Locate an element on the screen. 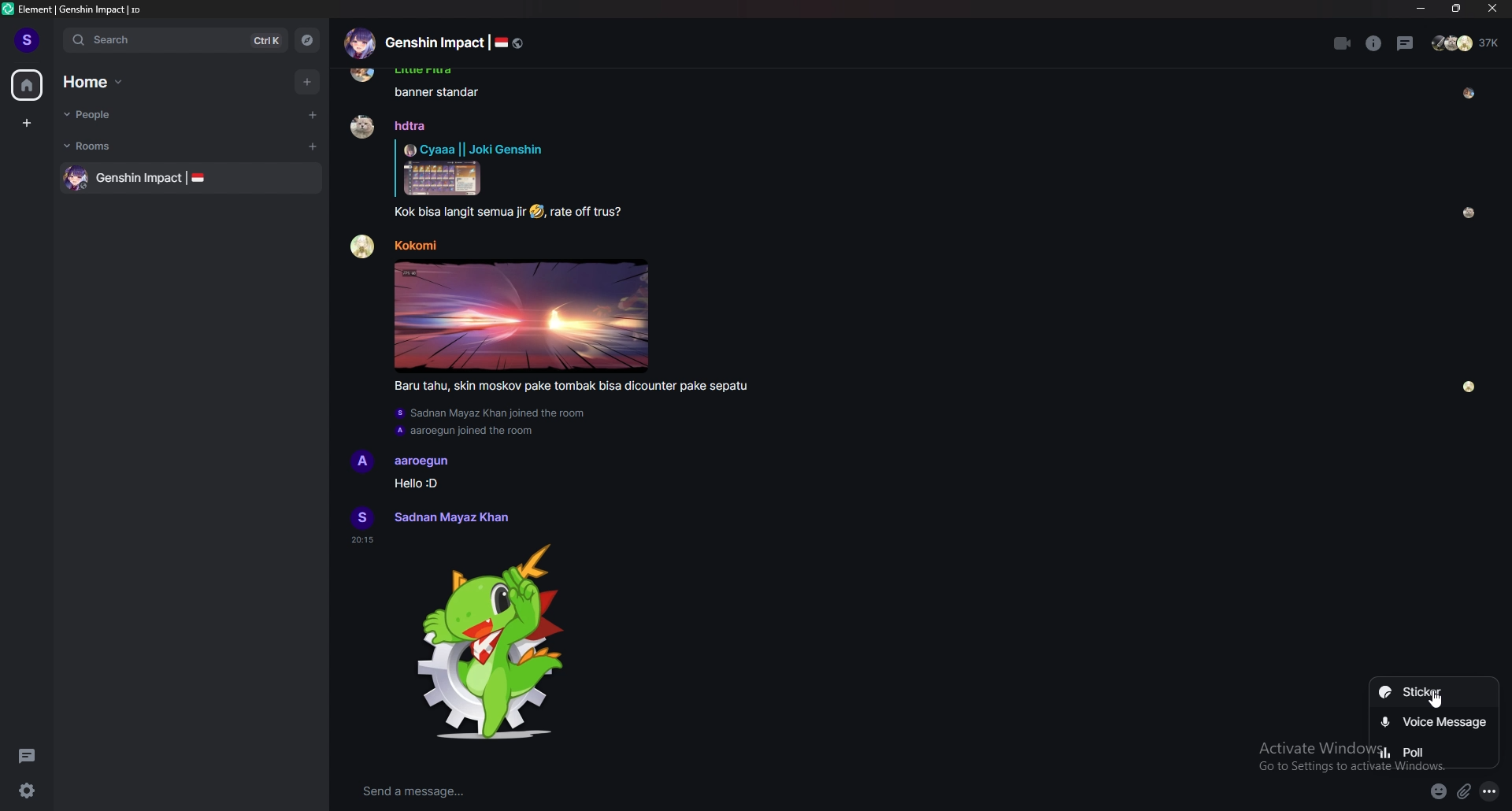 This screenshot has height=811, width=1512. banner standar is located at coordinates (437, 92).